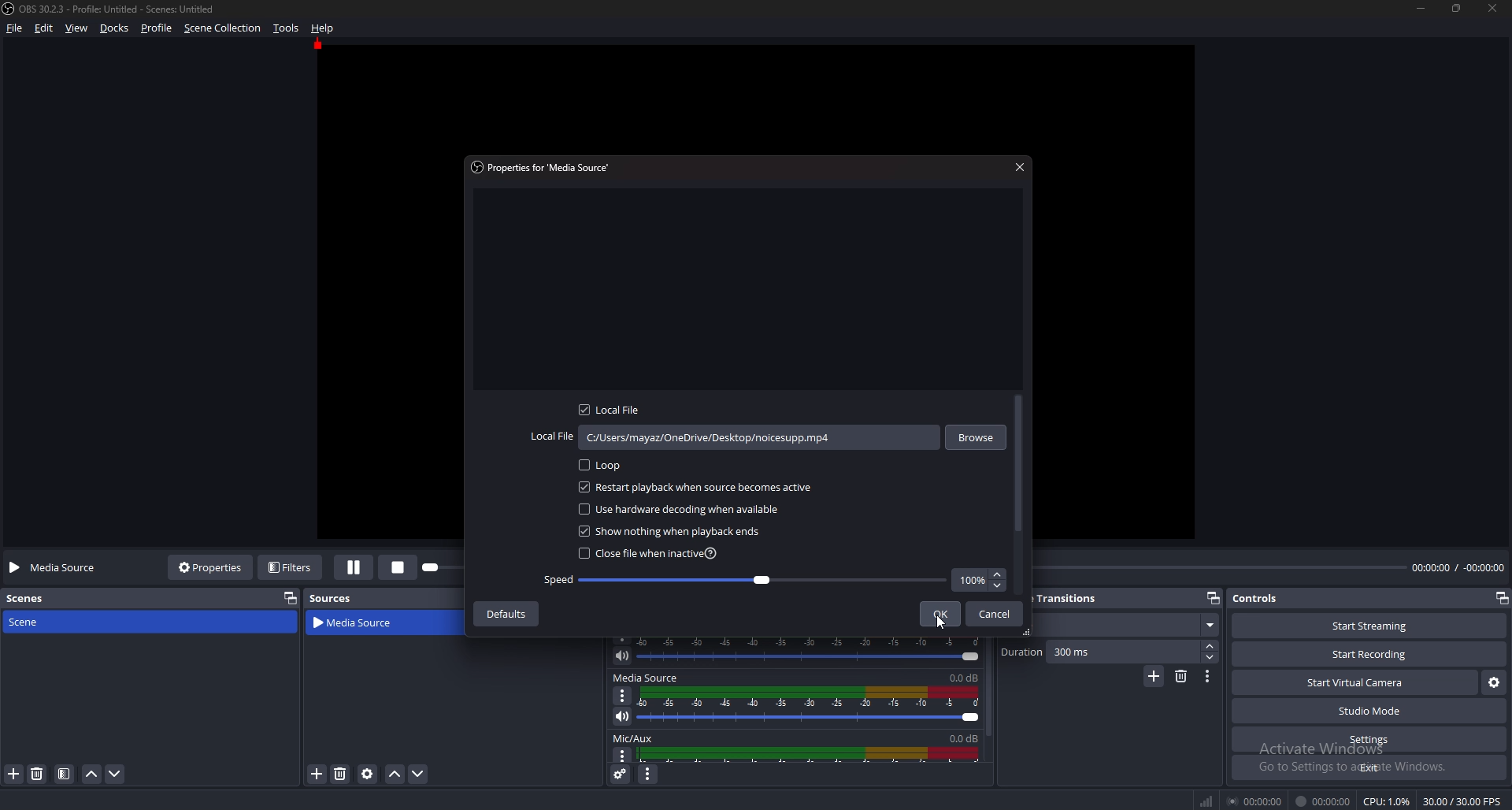  I want to click on ‘OBS 30.2.3 - Profile: Untitled - Scenes: Untitled, so click(120, 9).